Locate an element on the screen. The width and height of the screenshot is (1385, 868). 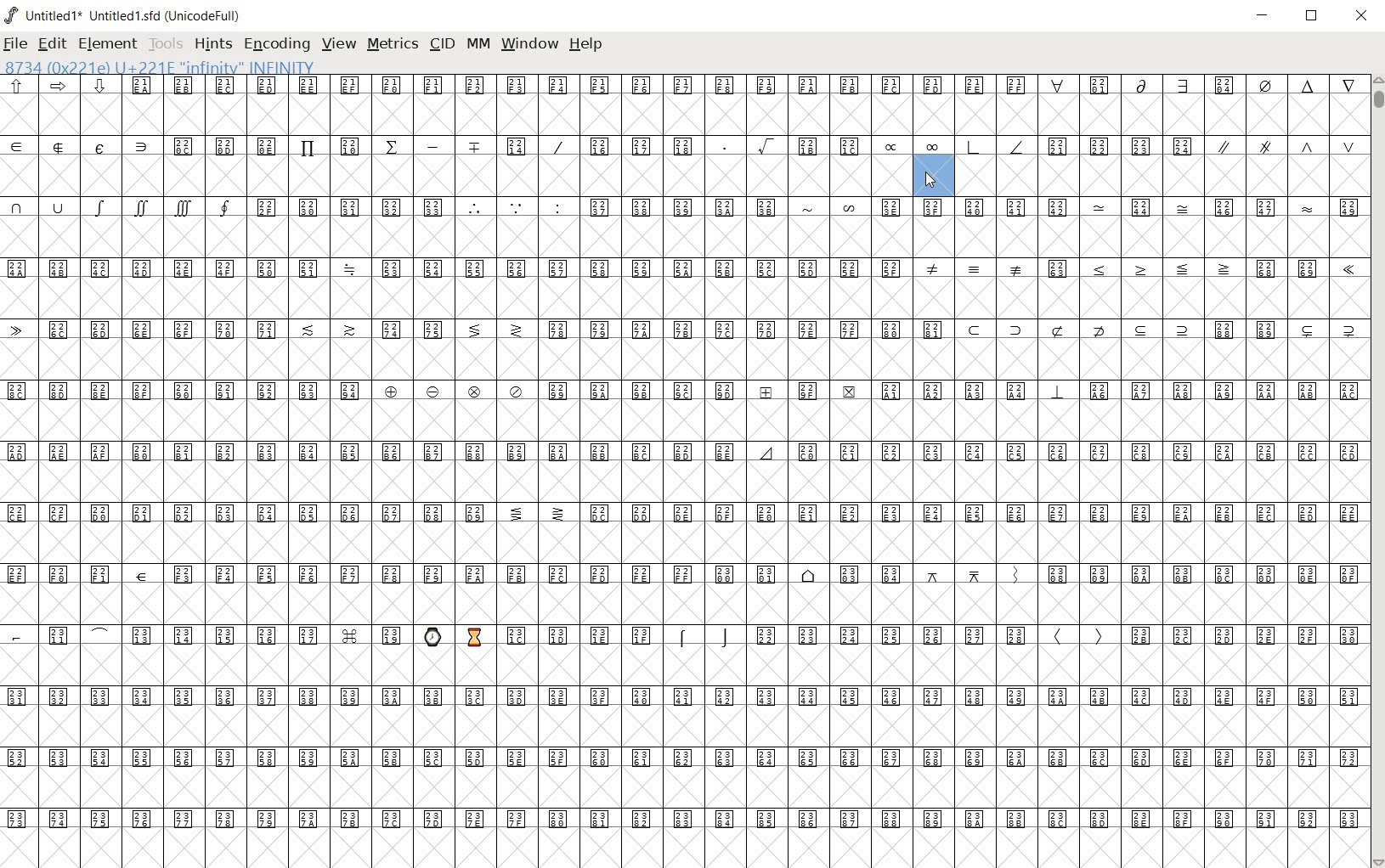
help is located at coordinates (586, 43).